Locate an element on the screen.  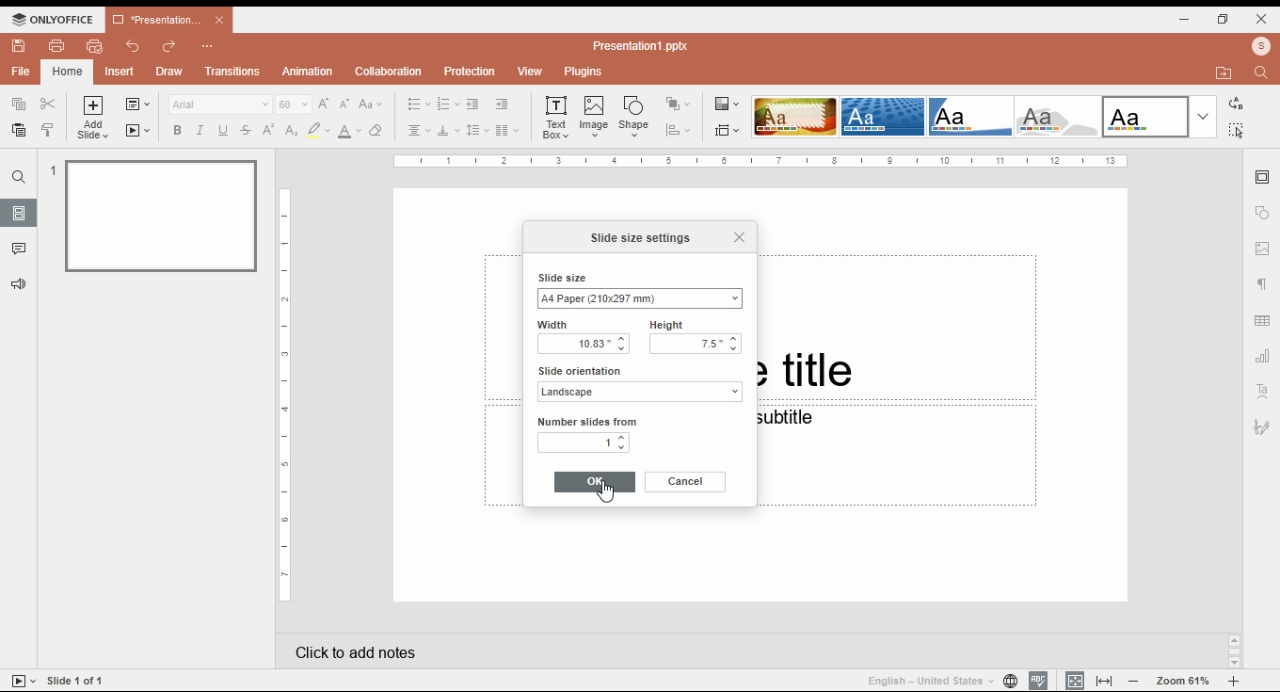
replace is located at coordinates (1234, 104).